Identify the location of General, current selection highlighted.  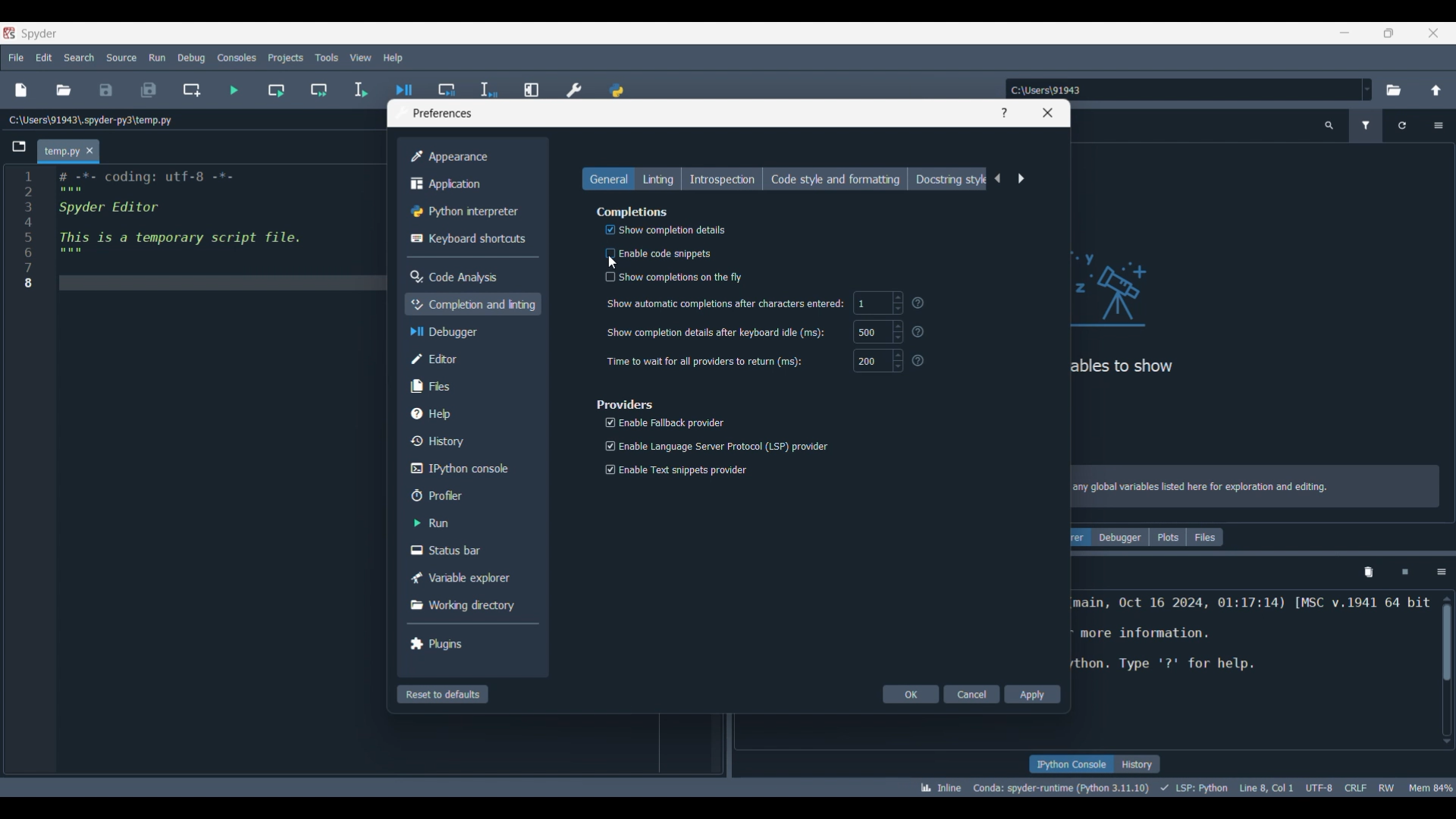
(608, 178).